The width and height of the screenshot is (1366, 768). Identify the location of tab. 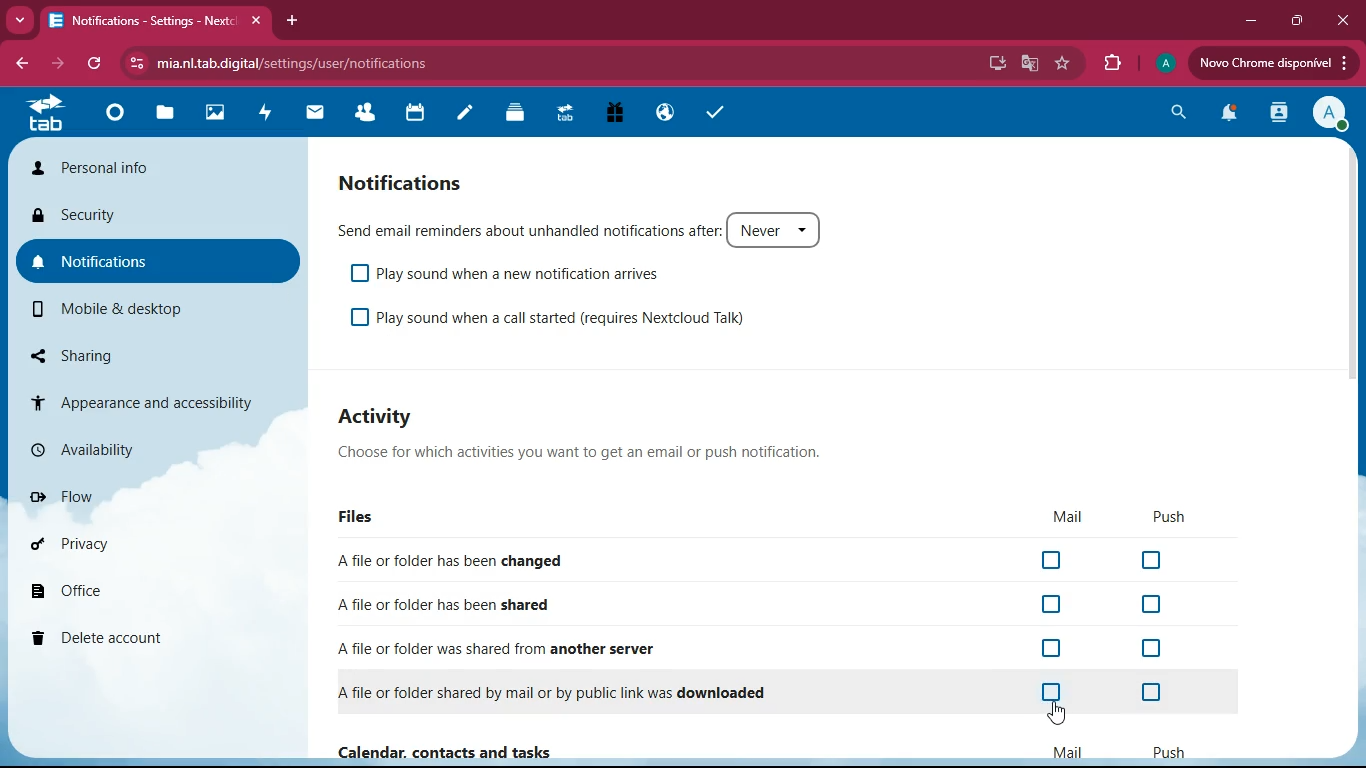
(154, 18).